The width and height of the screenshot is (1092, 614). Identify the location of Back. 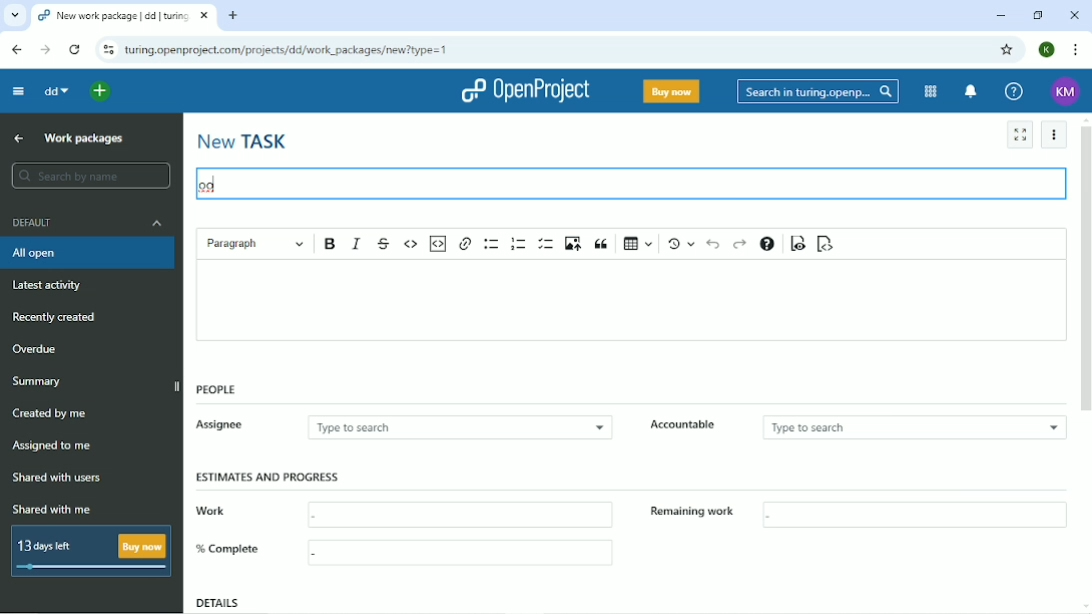
(18, 140).